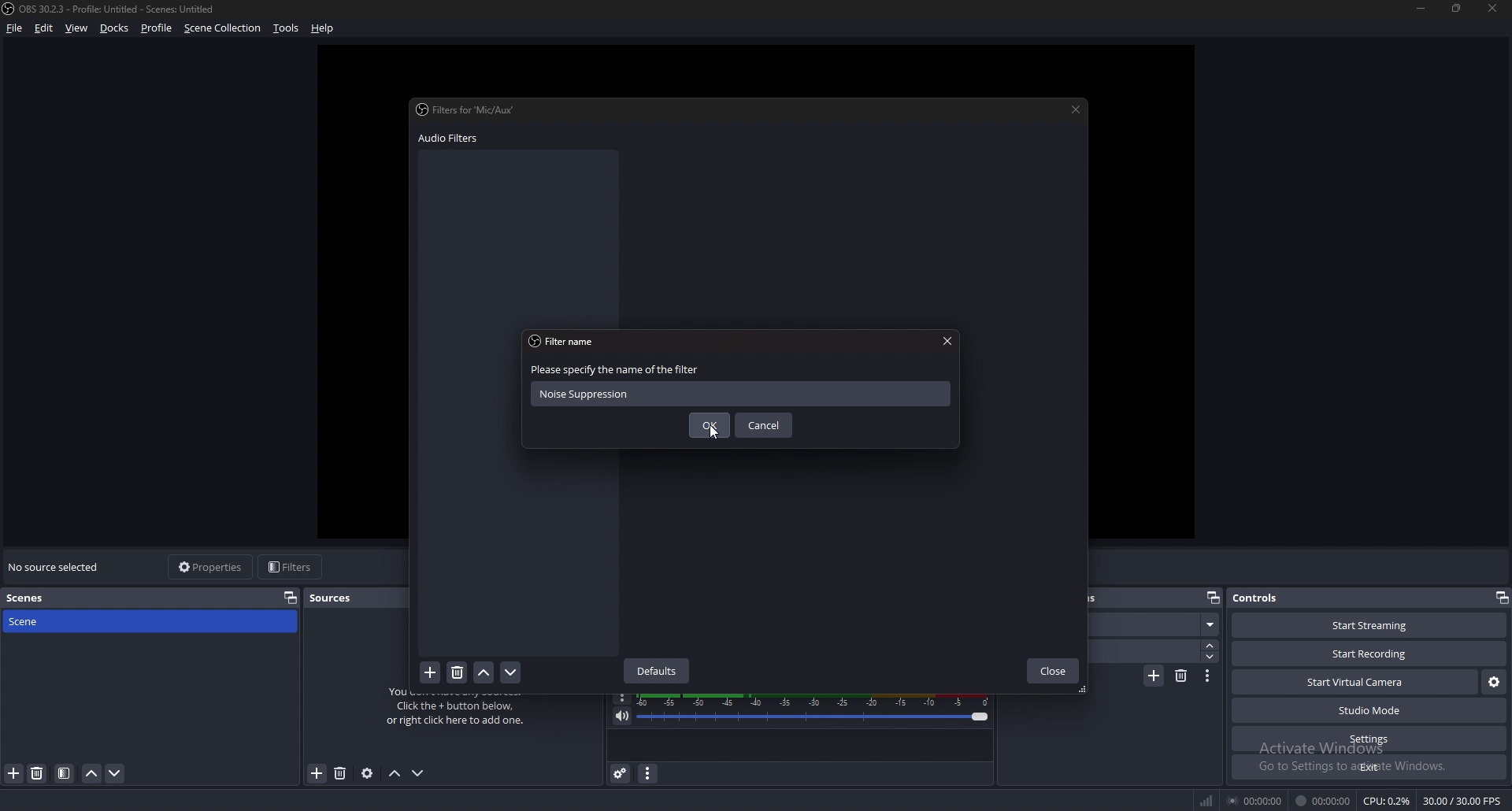 The image size is (1512, 811). Describe the element at coordinates (341, 597) in the screenshot. I see `sources` at that location.